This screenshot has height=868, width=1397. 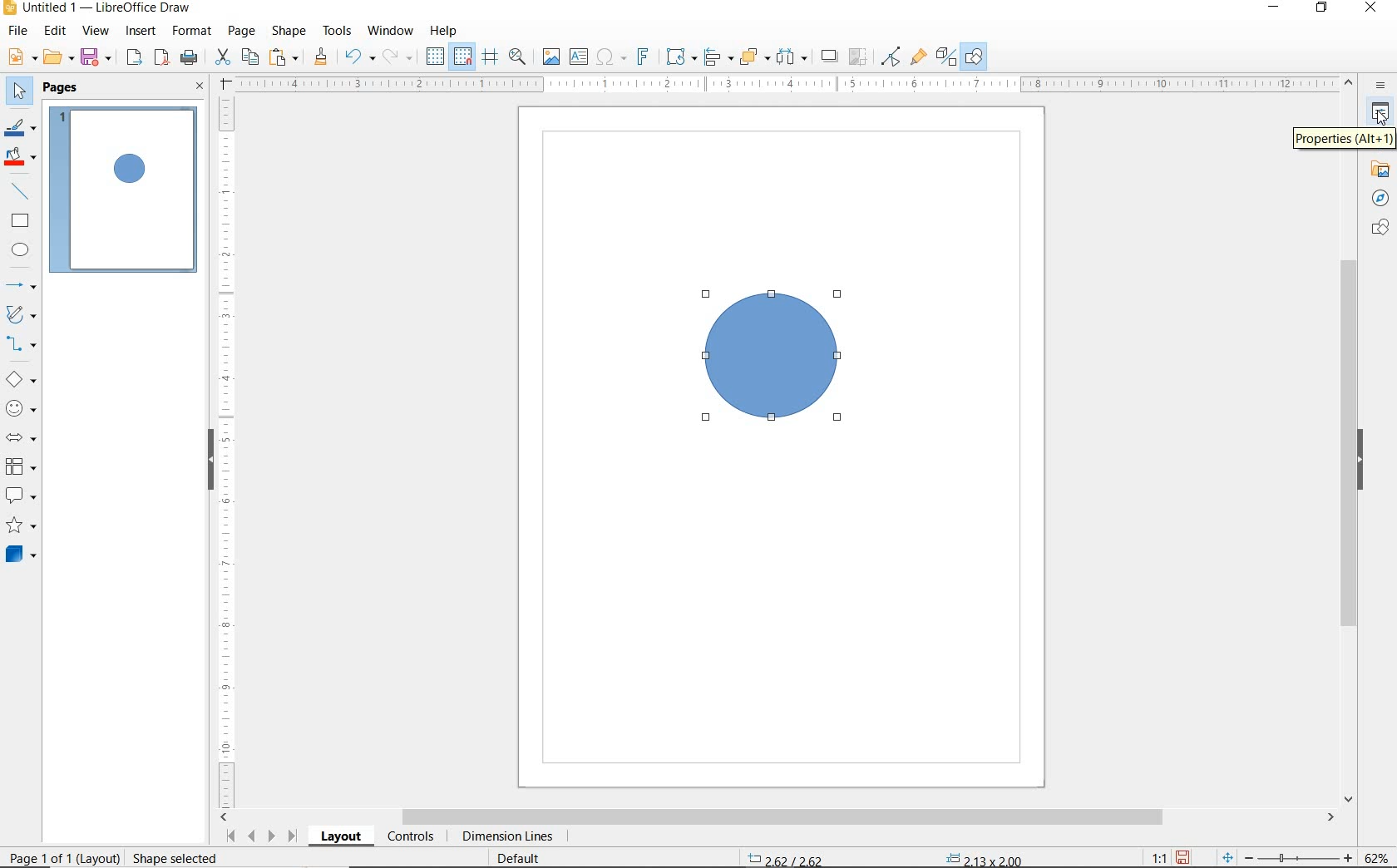 What do you see at coordinates (21, 526) in the screenshot?
I see `STARS AND BANNERS` at bounding box center [21, 526].